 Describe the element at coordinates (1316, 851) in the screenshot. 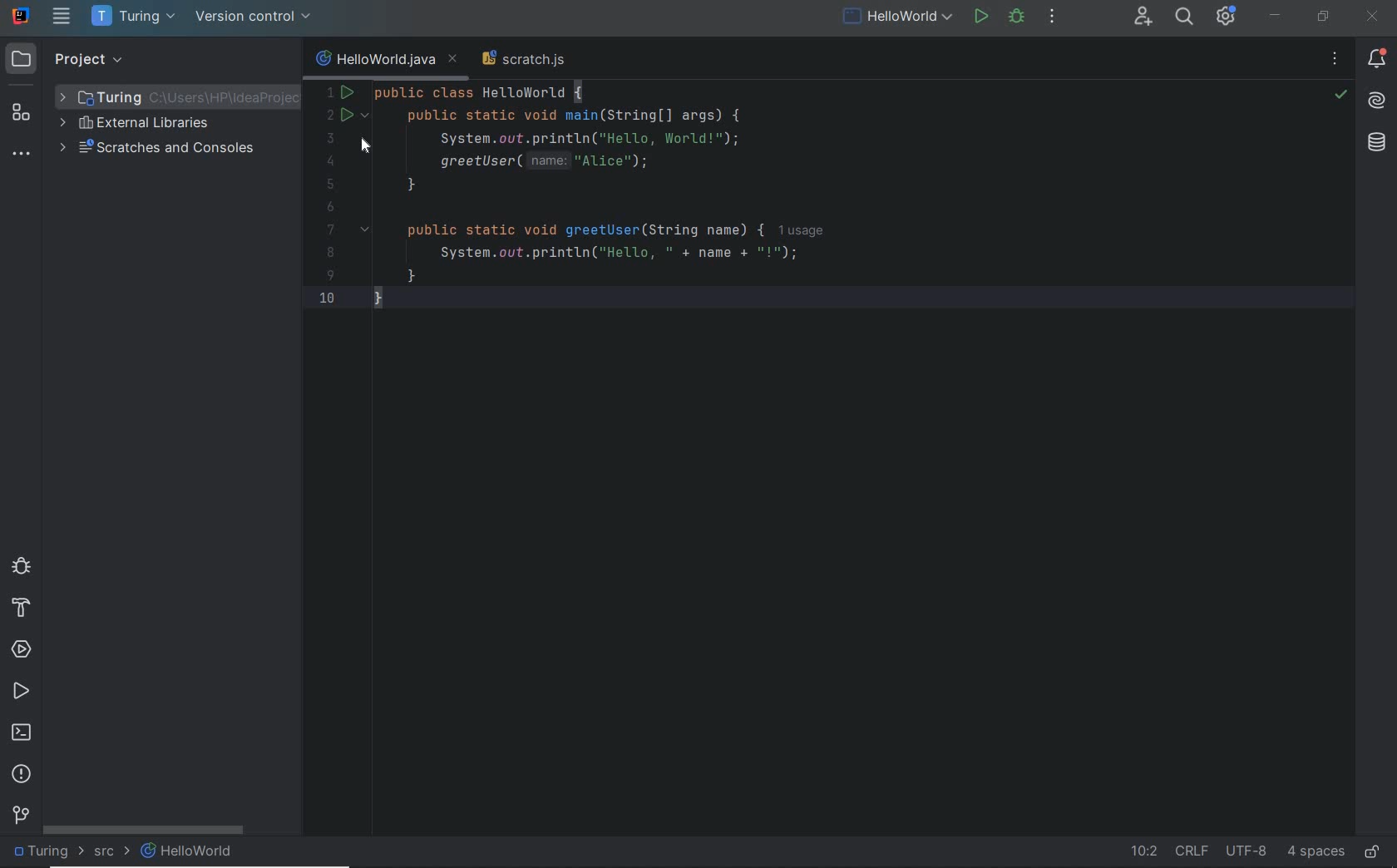

I see `indent` at that location.